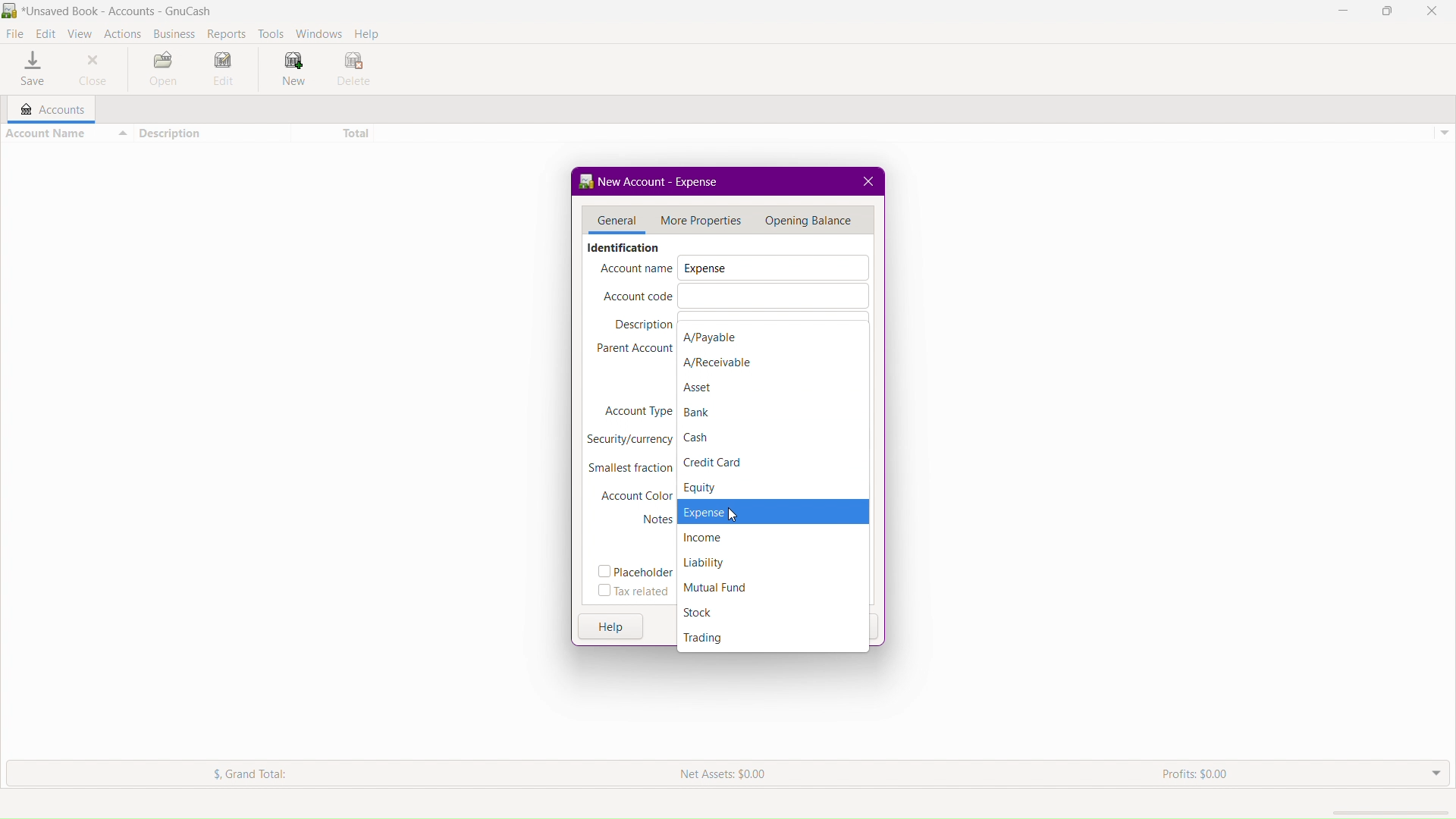 Image resolution: width=1456 pixels, height=819 pixels. What do you see at coordinates (1345, 11) in the screenshot?
I see `Minimize` at bounding box center [1345, 11].